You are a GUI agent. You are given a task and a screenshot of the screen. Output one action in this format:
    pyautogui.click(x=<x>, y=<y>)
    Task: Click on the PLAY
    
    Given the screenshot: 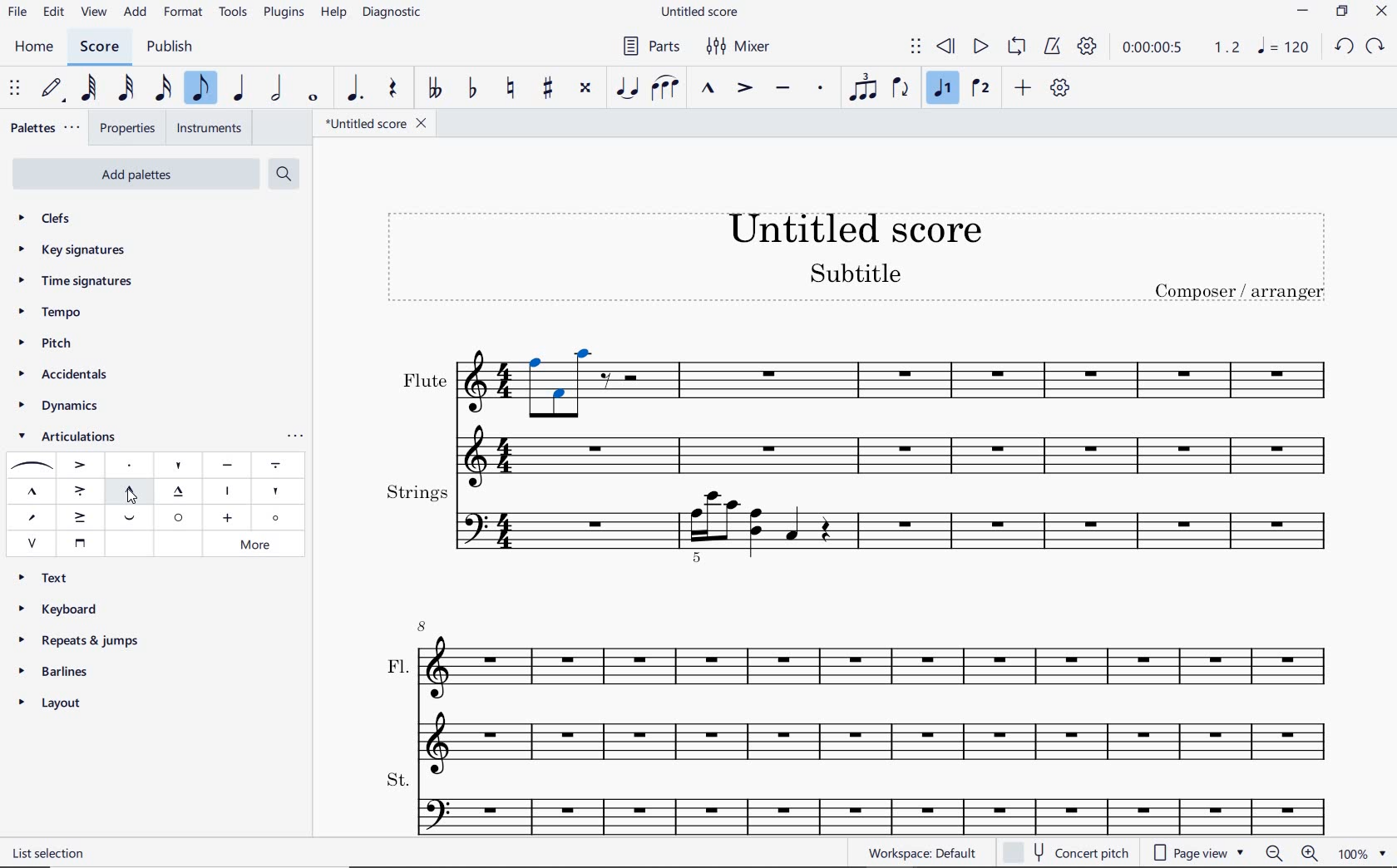 What is the action you would take?
    pyautogui.click(x=980, y=46)
    